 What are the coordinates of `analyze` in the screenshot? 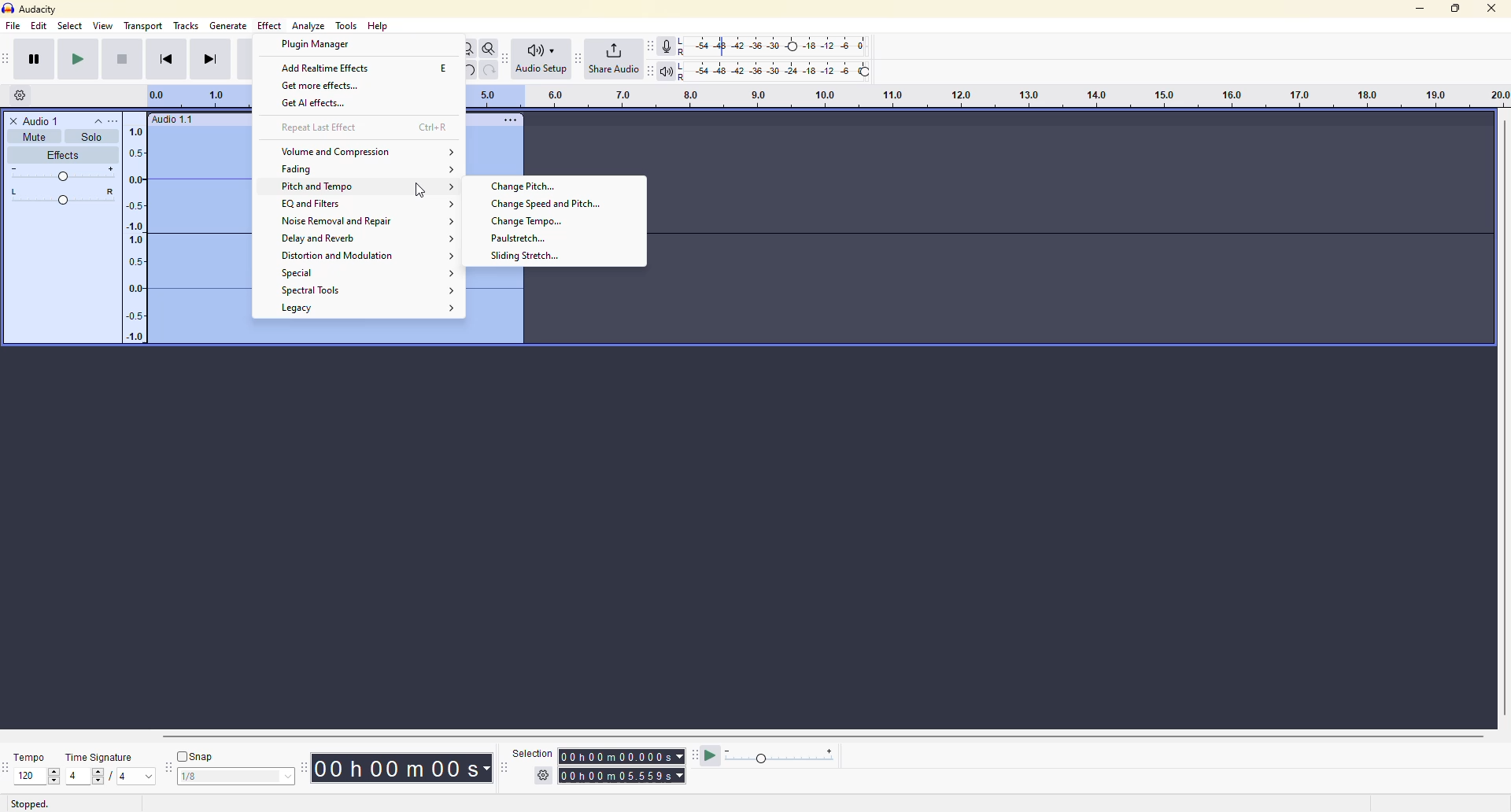 It's located at (310, 26).